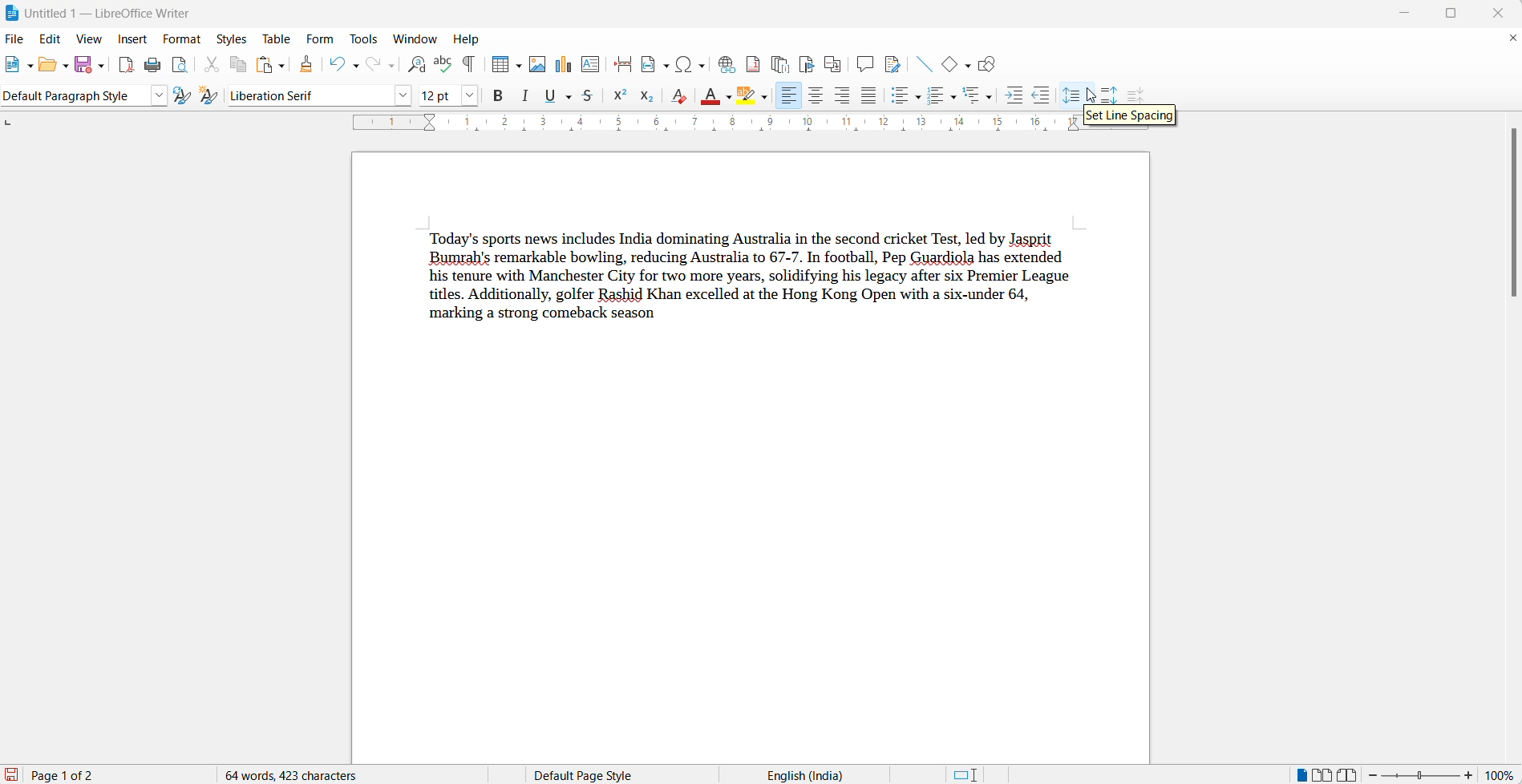  I want to click on underline, so click(553, 96).